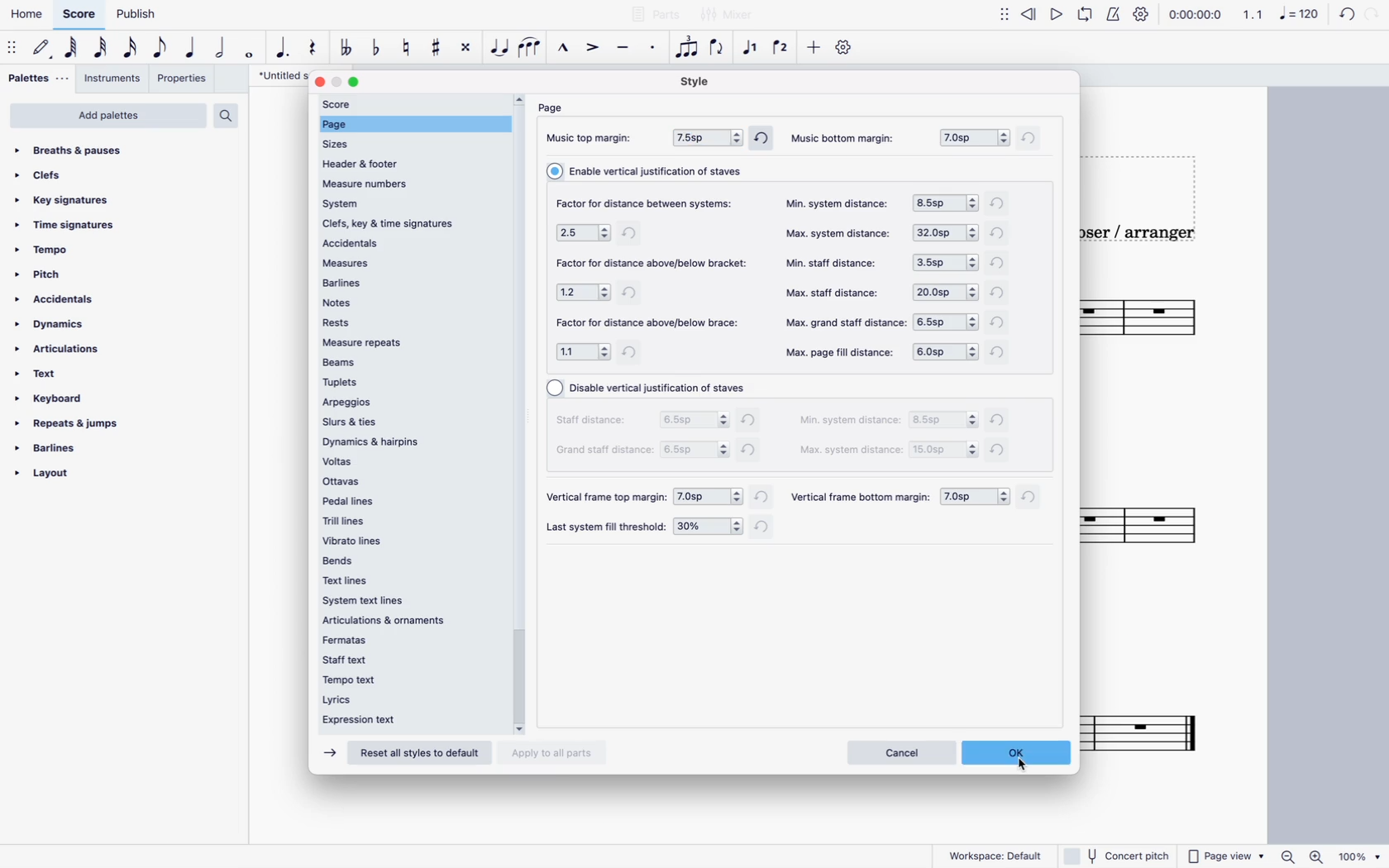  What do you see at coordinates (418, 755) in the screenshot?
I see `reset all styles to default` at bounding box center [418, 755].